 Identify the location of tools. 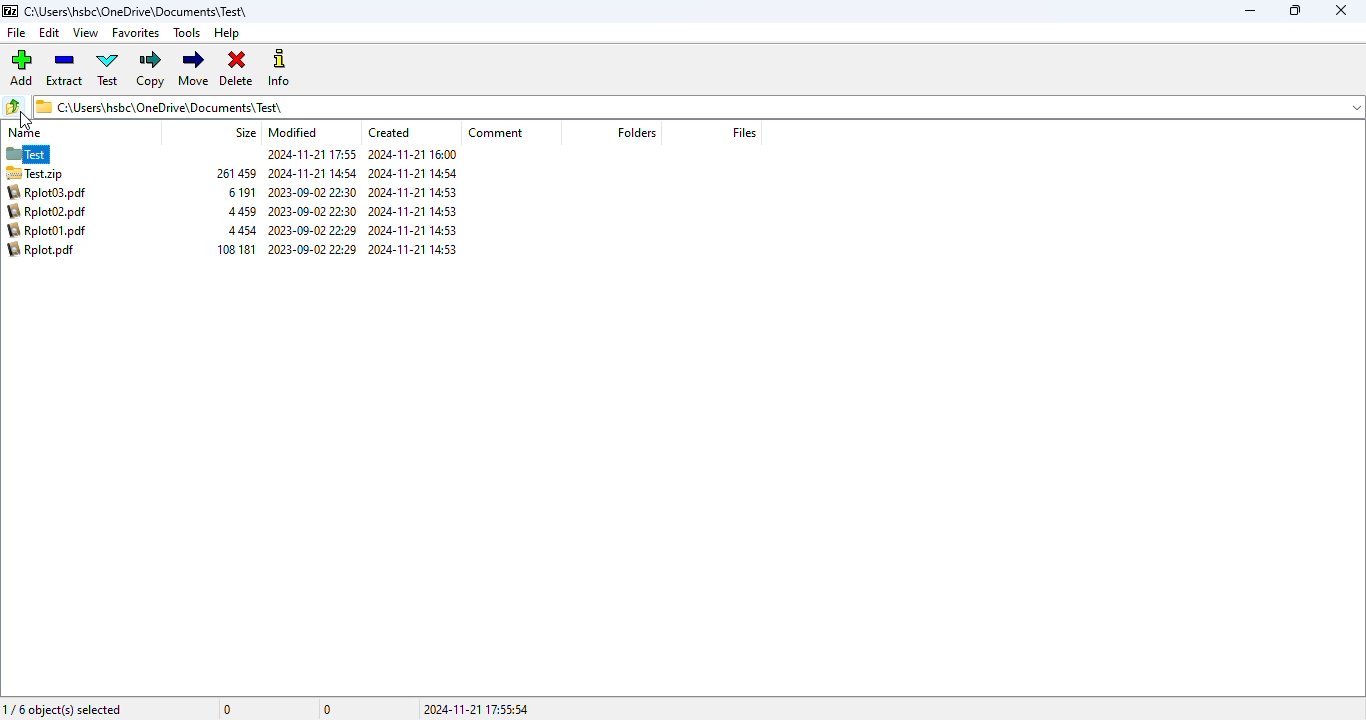
(186, 32).